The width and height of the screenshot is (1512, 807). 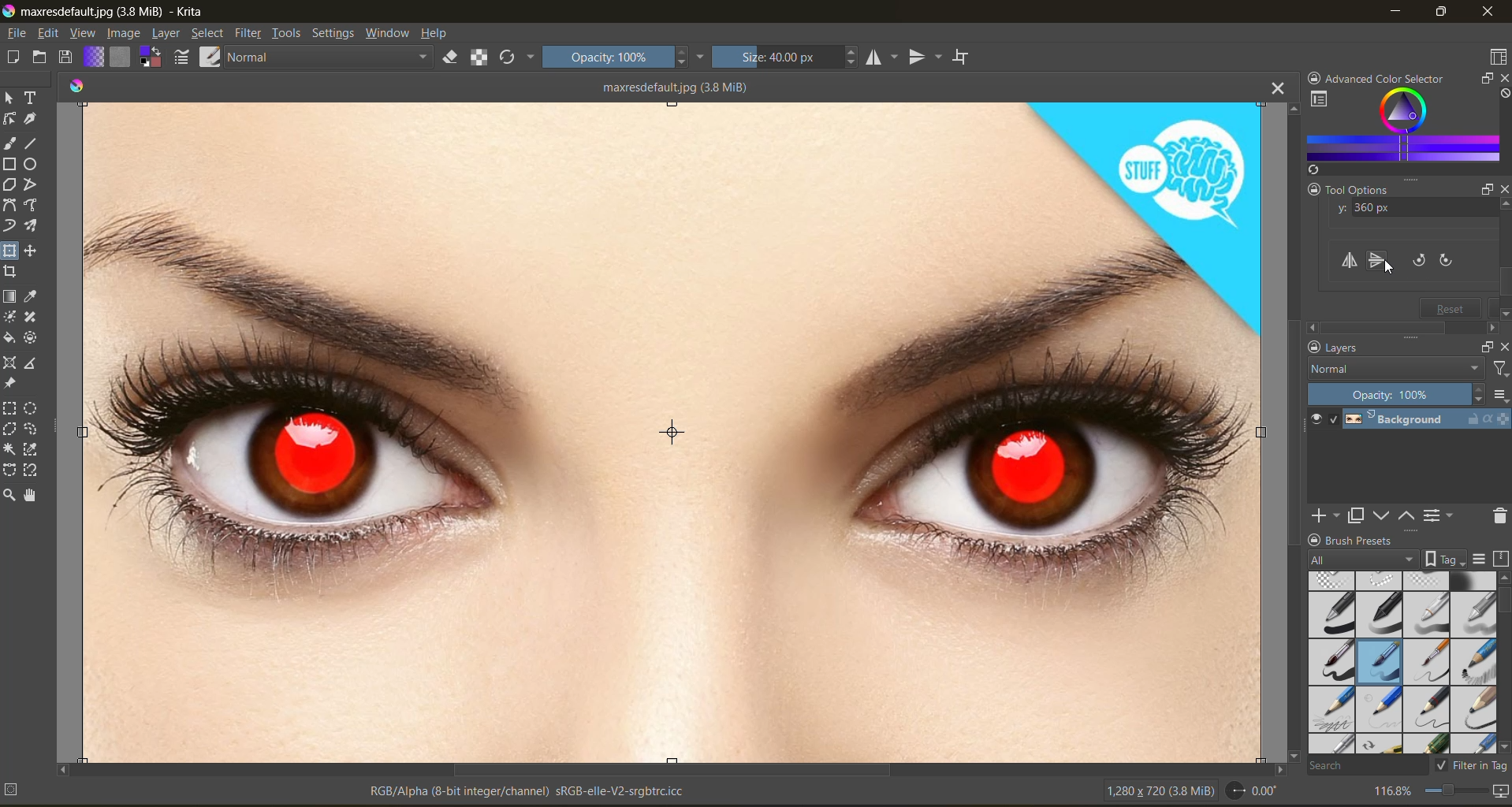 I want to click on tool, so click(x=33, y=164).